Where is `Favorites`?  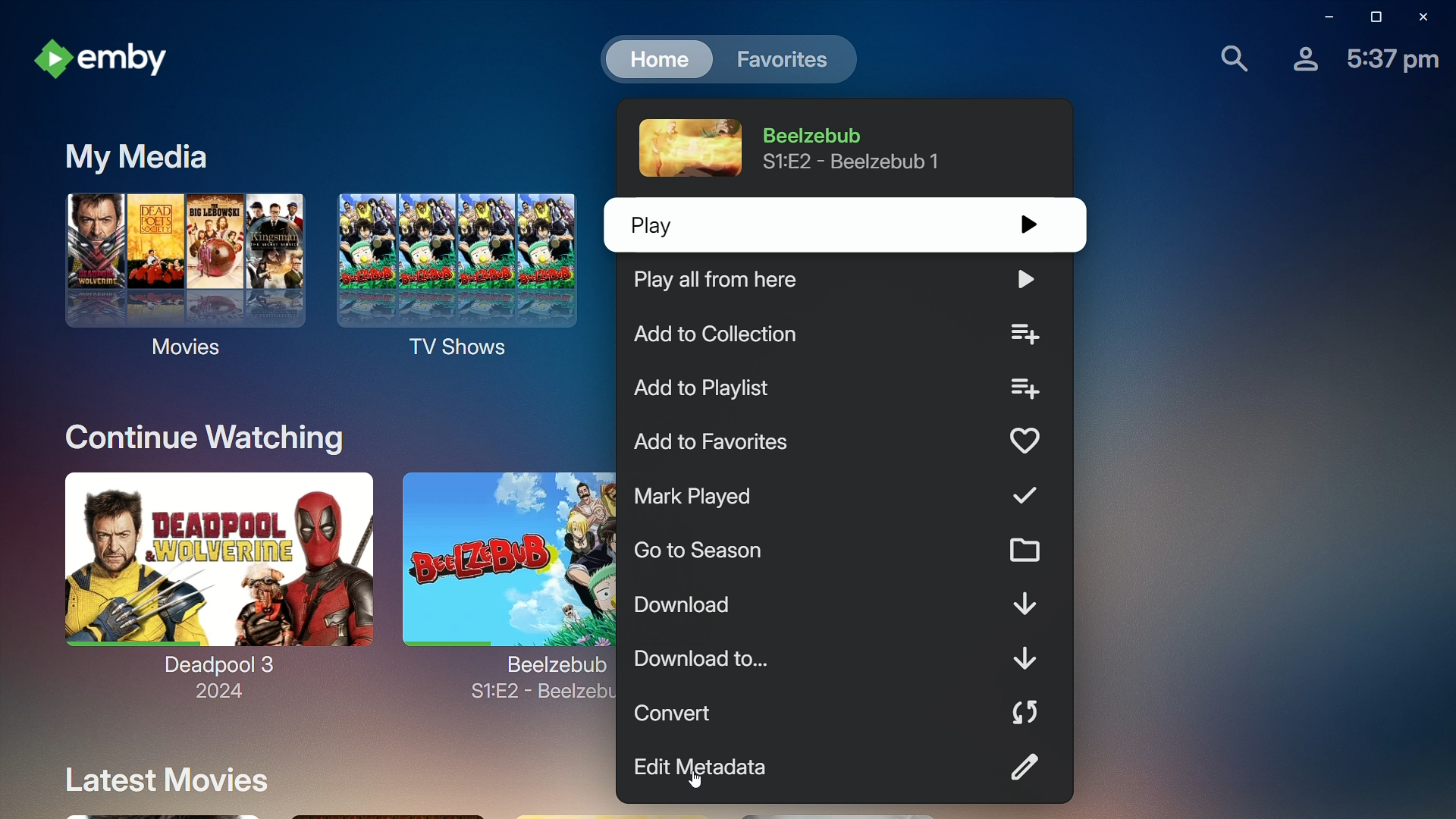 Favorites is located at coordinates (783, 61).